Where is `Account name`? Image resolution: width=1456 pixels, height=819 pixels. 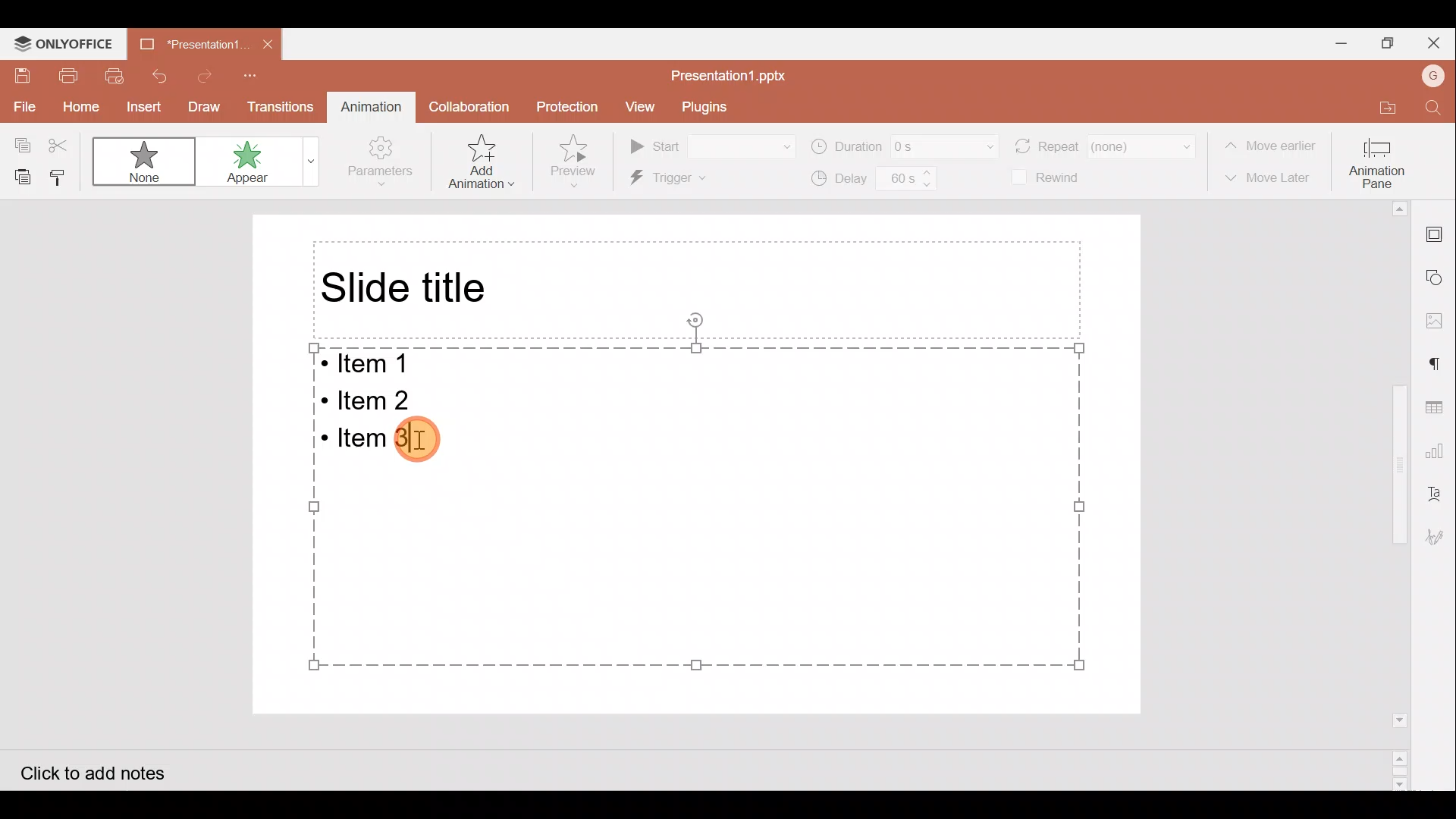
Account name is located at coordinates (1432, 75).